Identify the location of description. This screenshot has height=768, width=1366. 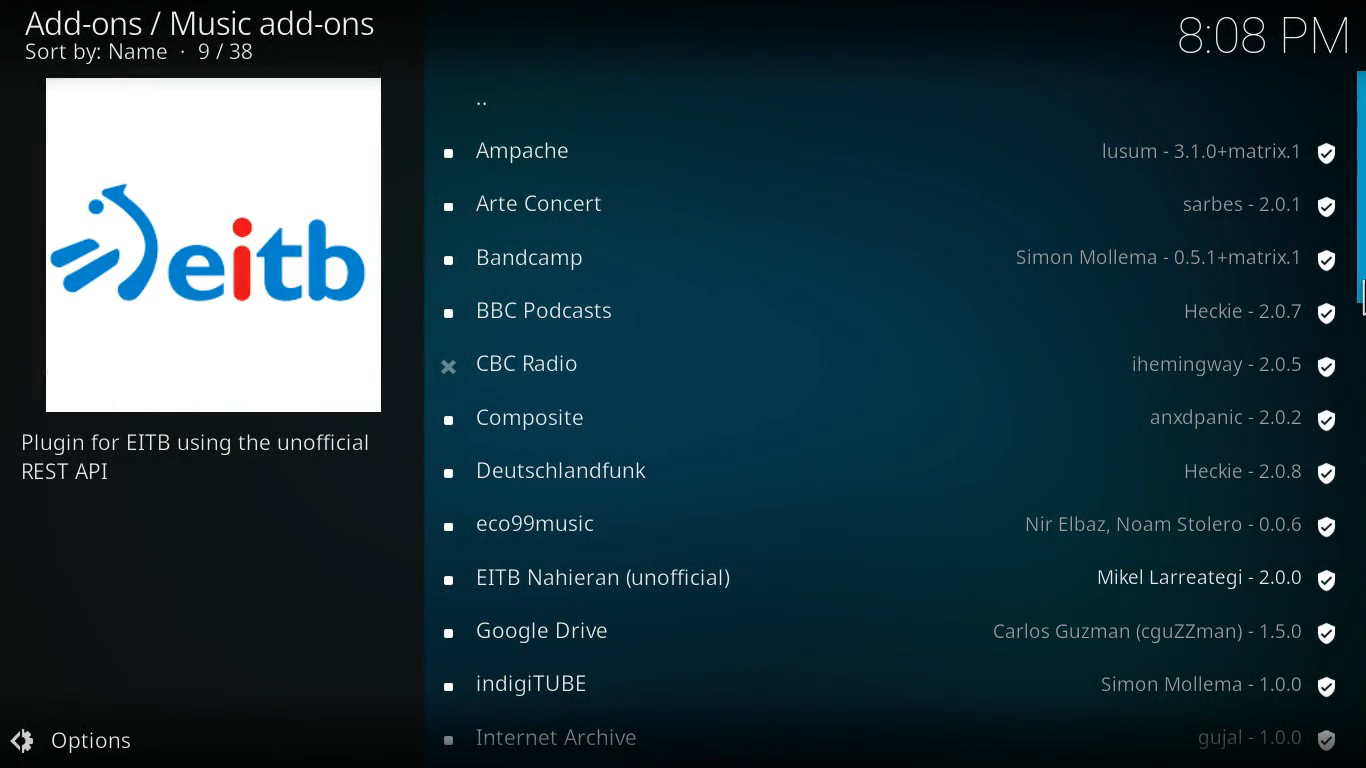
(208, 460).